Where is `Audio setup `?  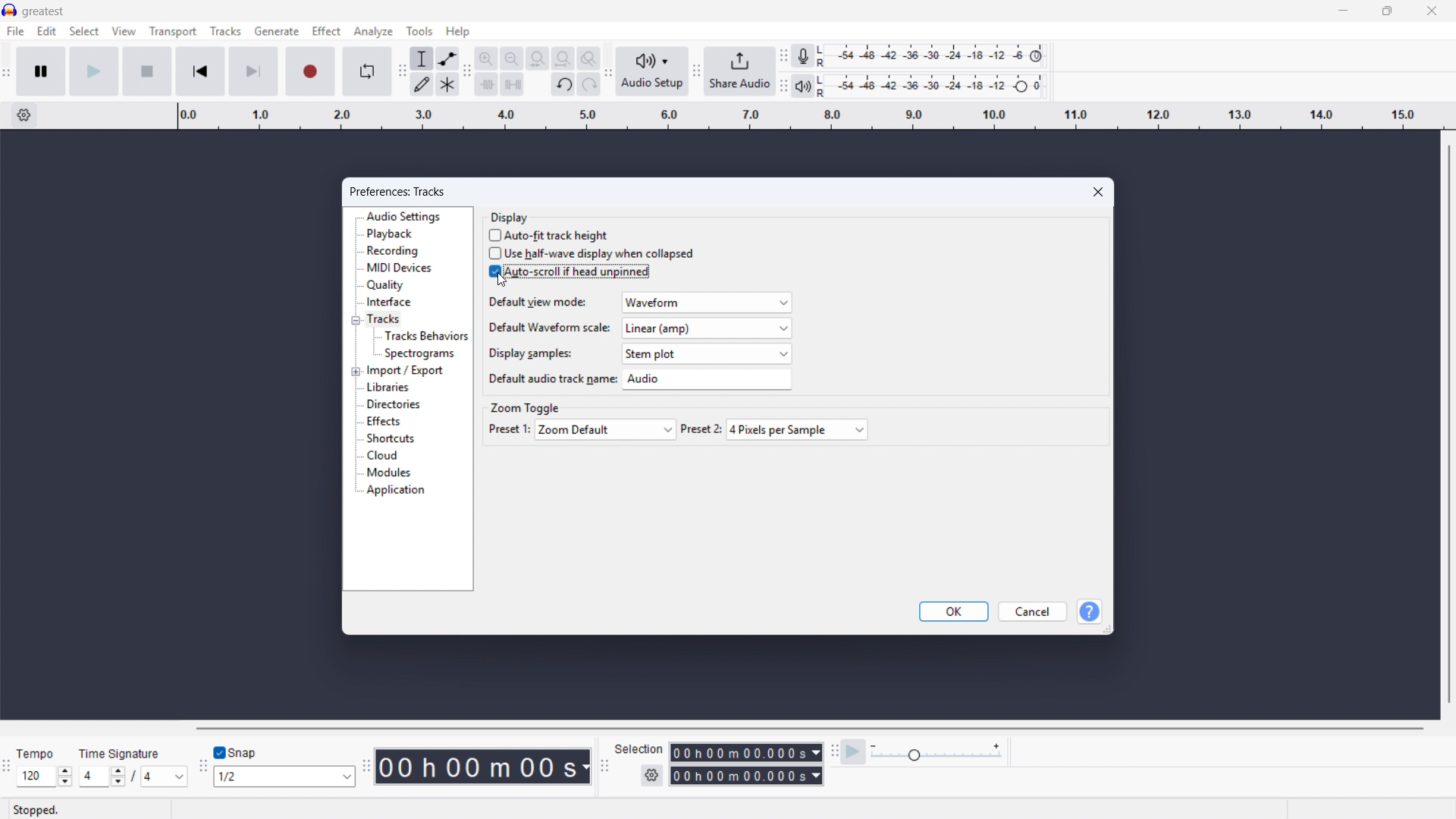
Audio setup  is located at coordinates (653, 72).